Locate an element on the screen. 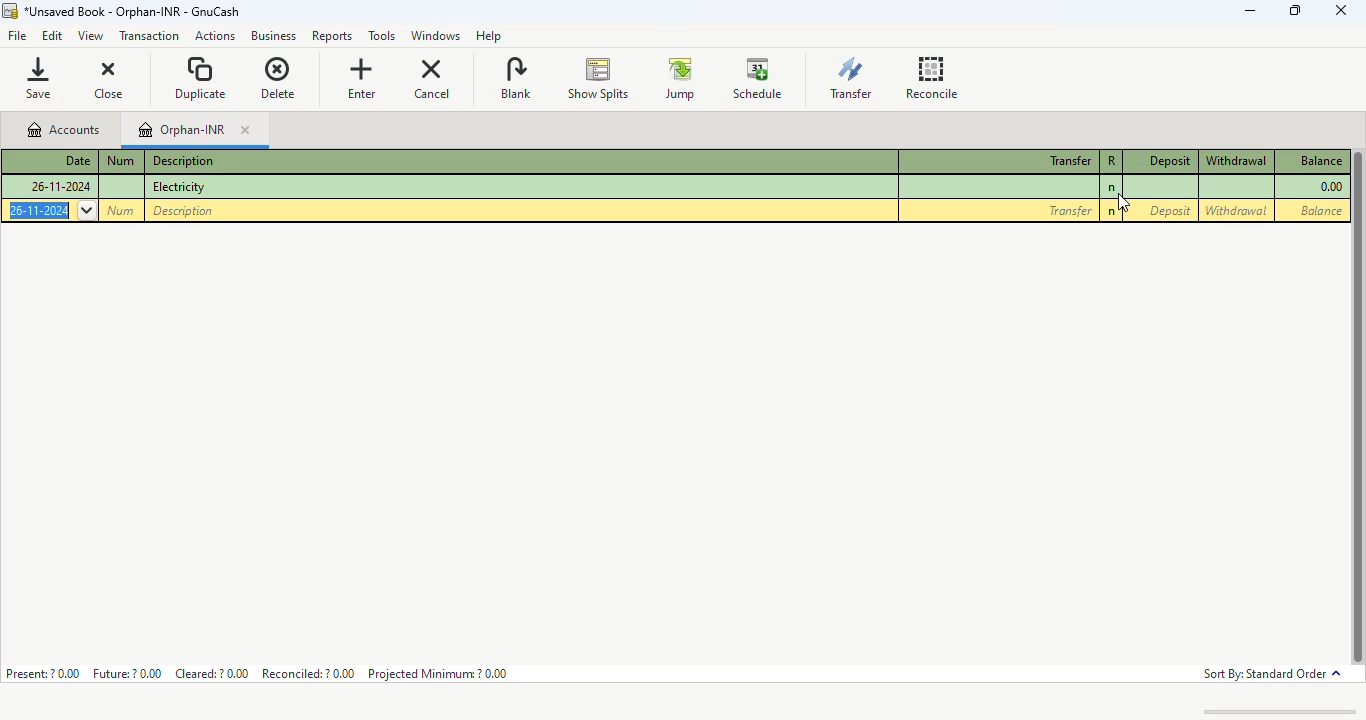 This screenshot has height=720, width=1366. logo is located at coordinates (10, 11).